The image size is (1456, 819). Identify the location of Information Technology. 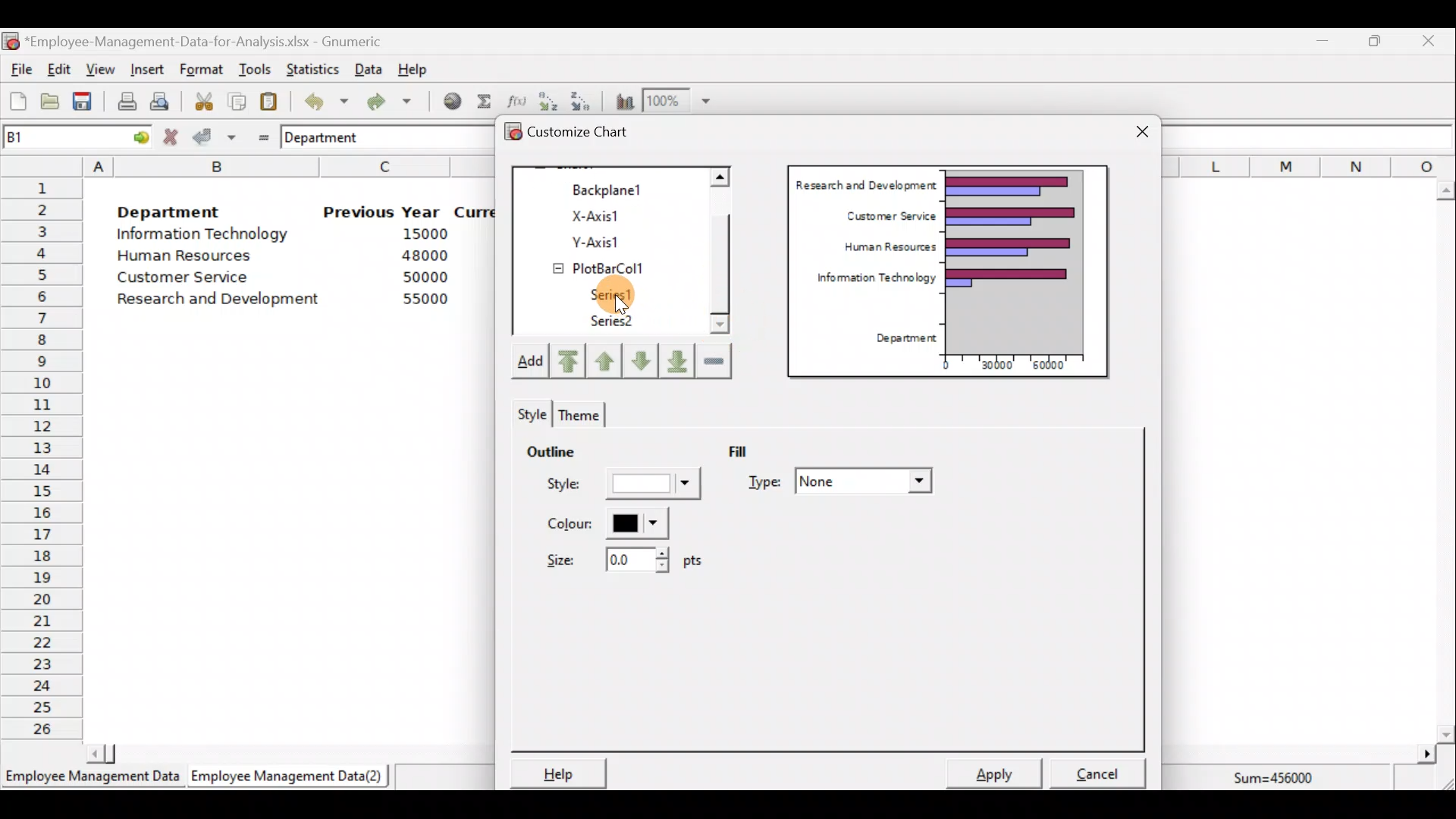
(869, 281).